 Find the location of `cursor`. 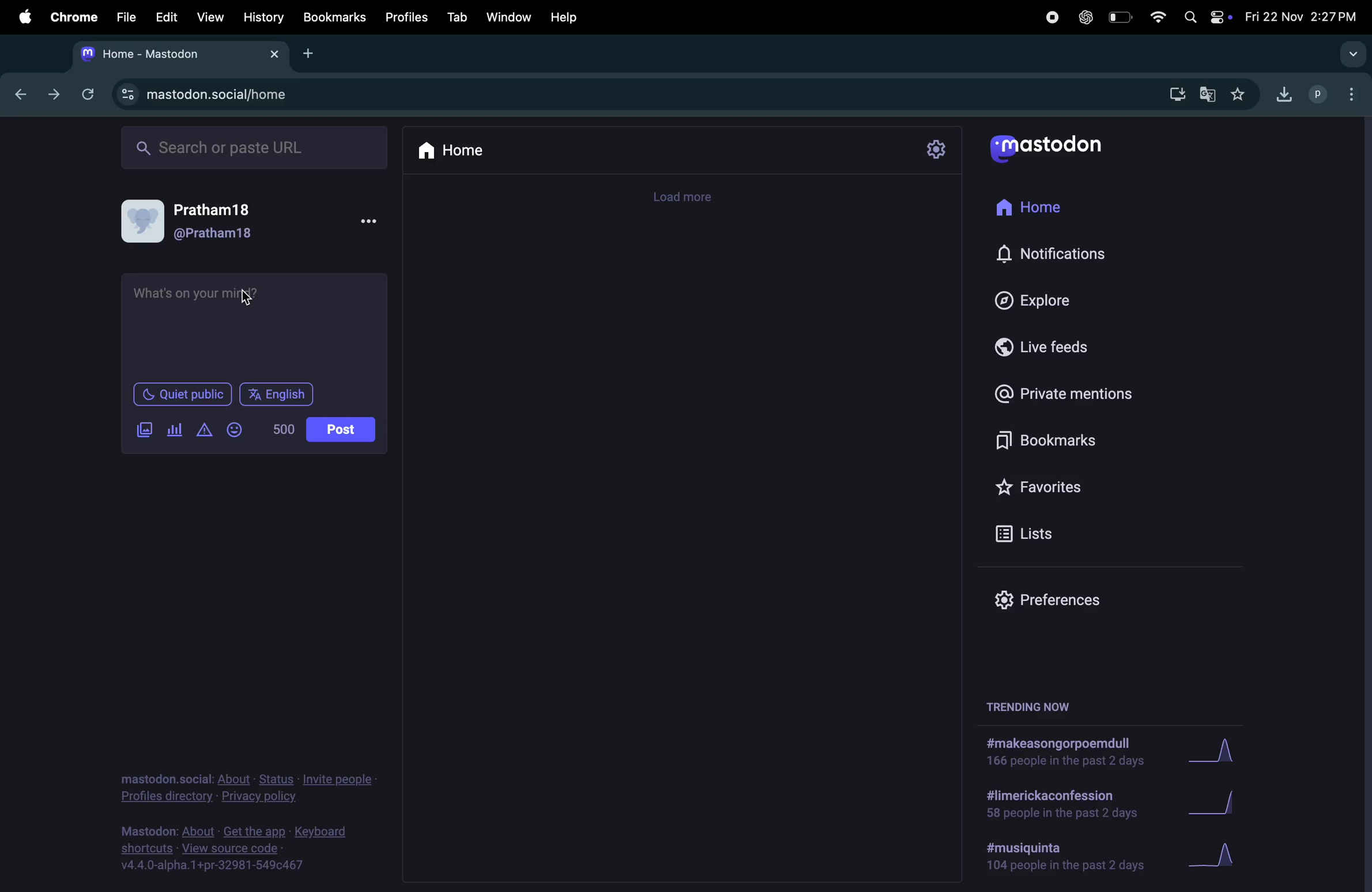

cursor is located at coordinates (249, 300).